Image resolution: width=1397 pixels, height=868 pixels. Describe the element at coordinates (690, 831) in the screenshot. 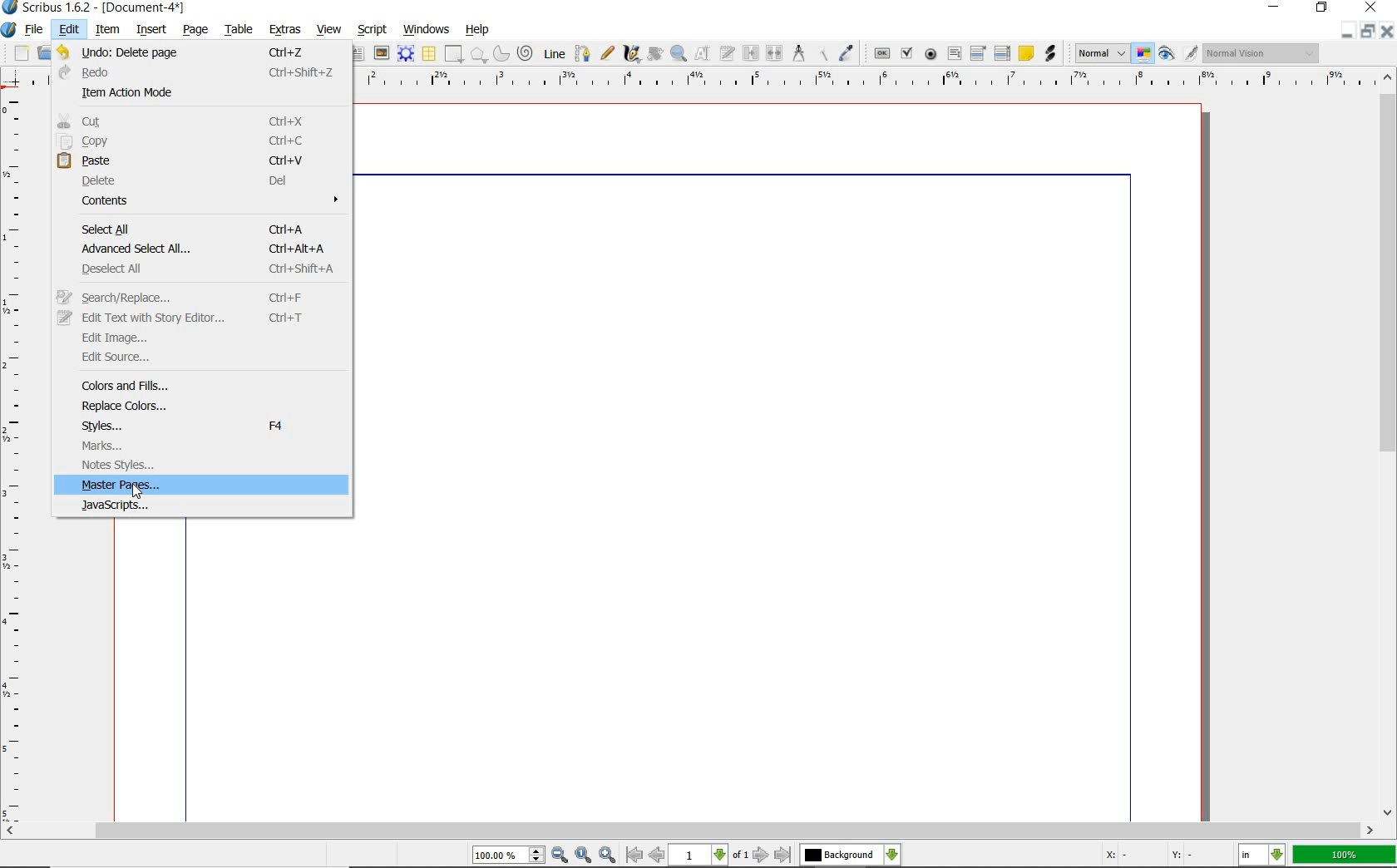

I see `scrollbar` at that location.